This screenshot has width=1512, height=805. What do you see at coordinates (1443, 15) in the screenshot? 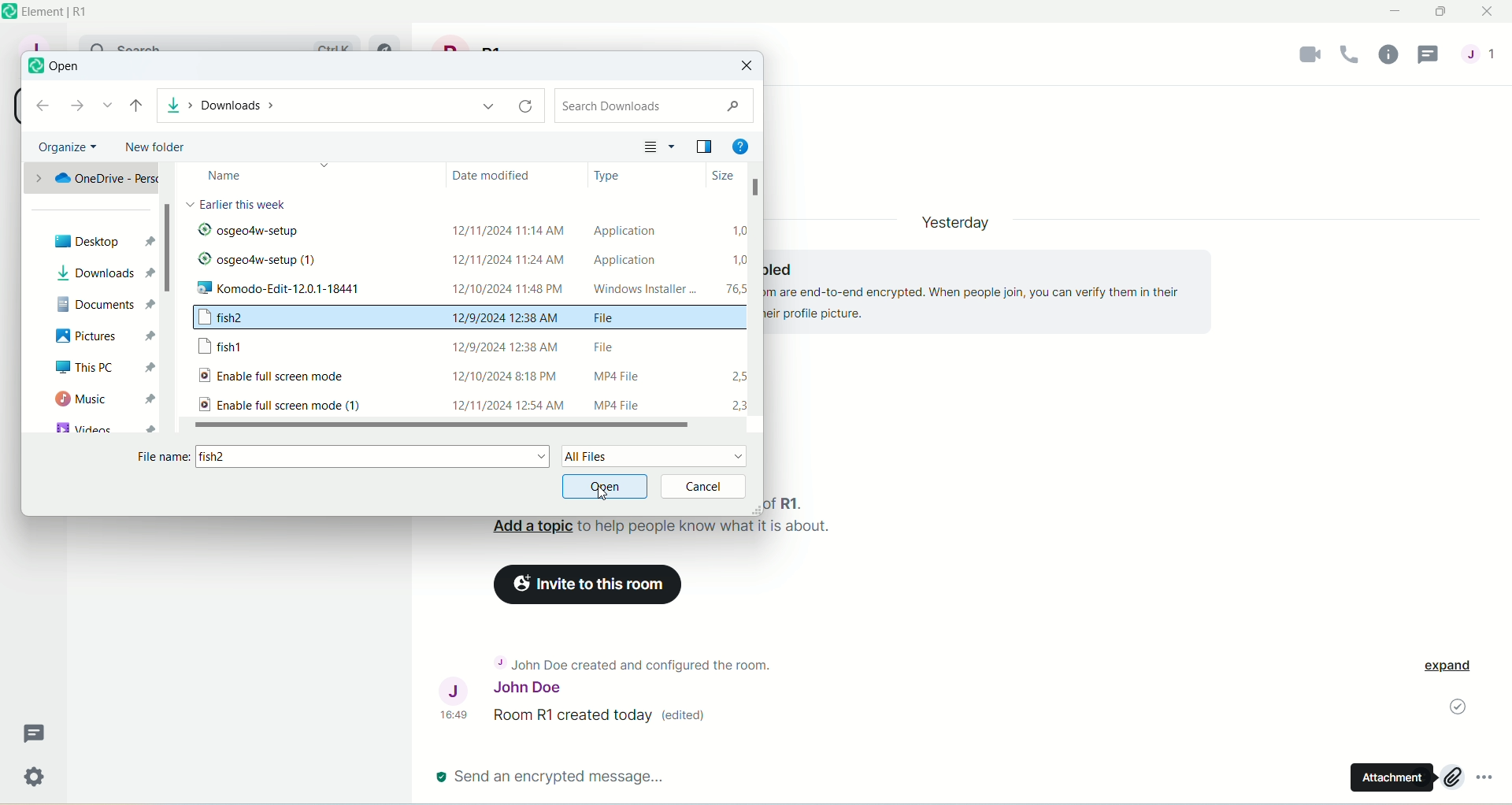
I see `maximize` at bounding box center [1443, 15].